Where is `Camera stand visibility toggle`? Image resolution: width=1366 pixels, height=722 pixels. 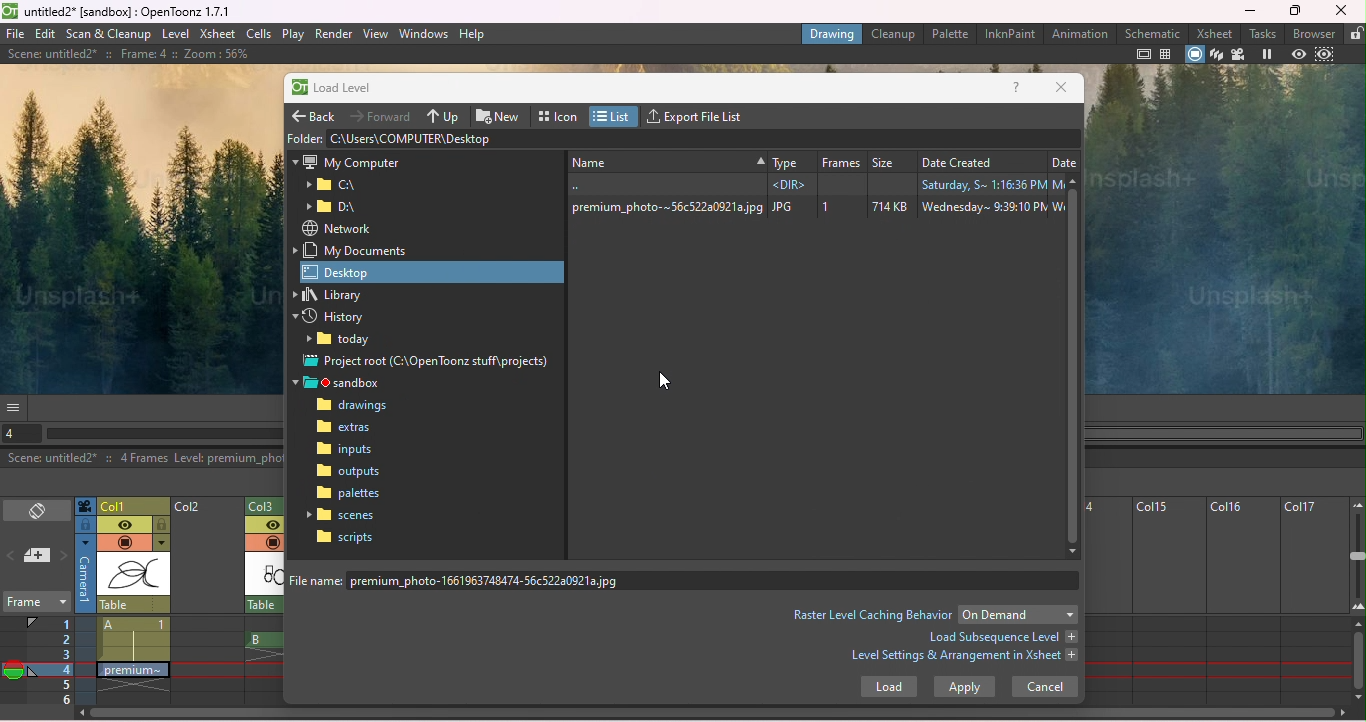
Camera stand visibility toggle is located at coordinates (124, 543).